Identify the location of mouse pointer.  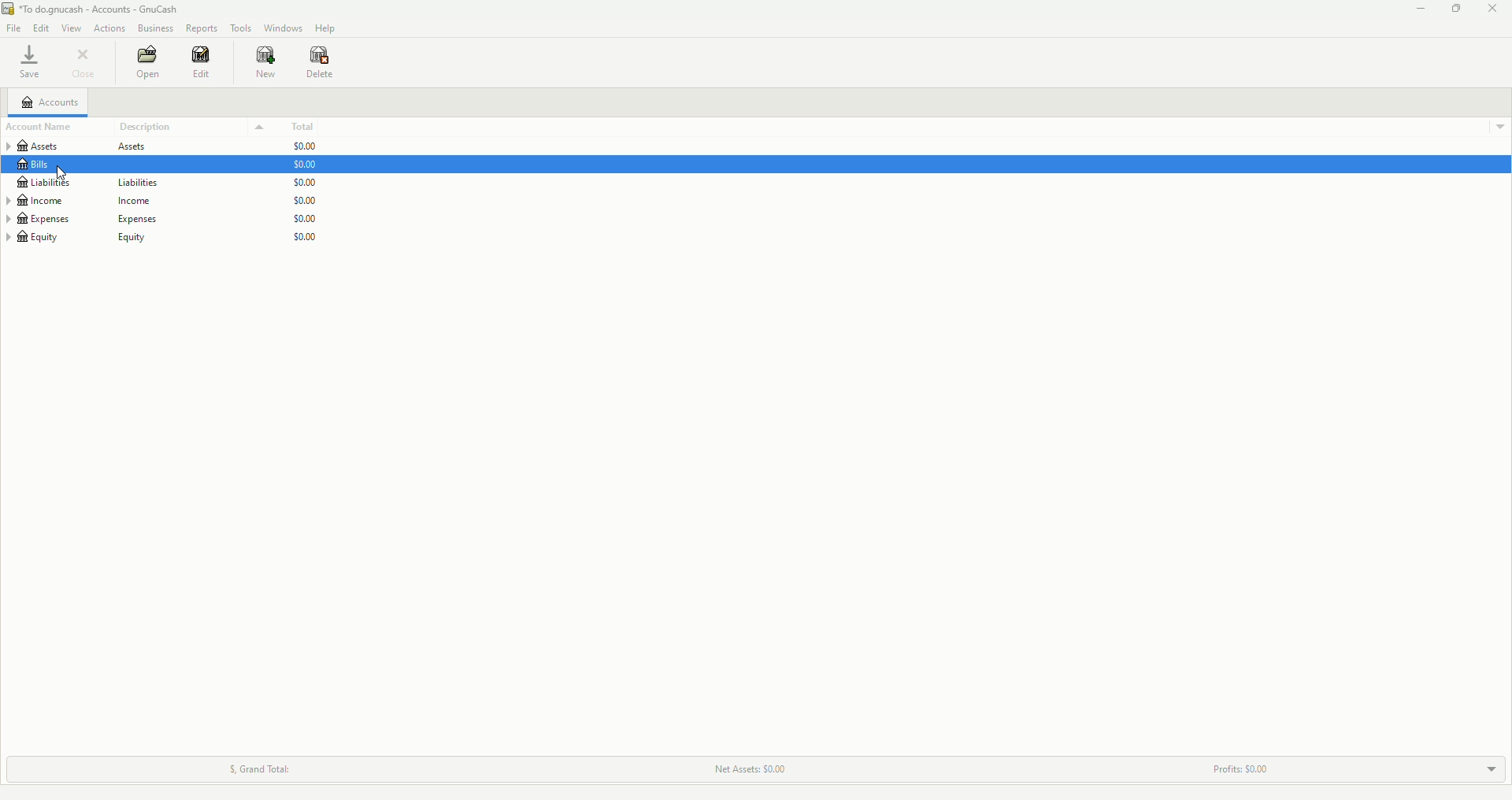
(60, 174).